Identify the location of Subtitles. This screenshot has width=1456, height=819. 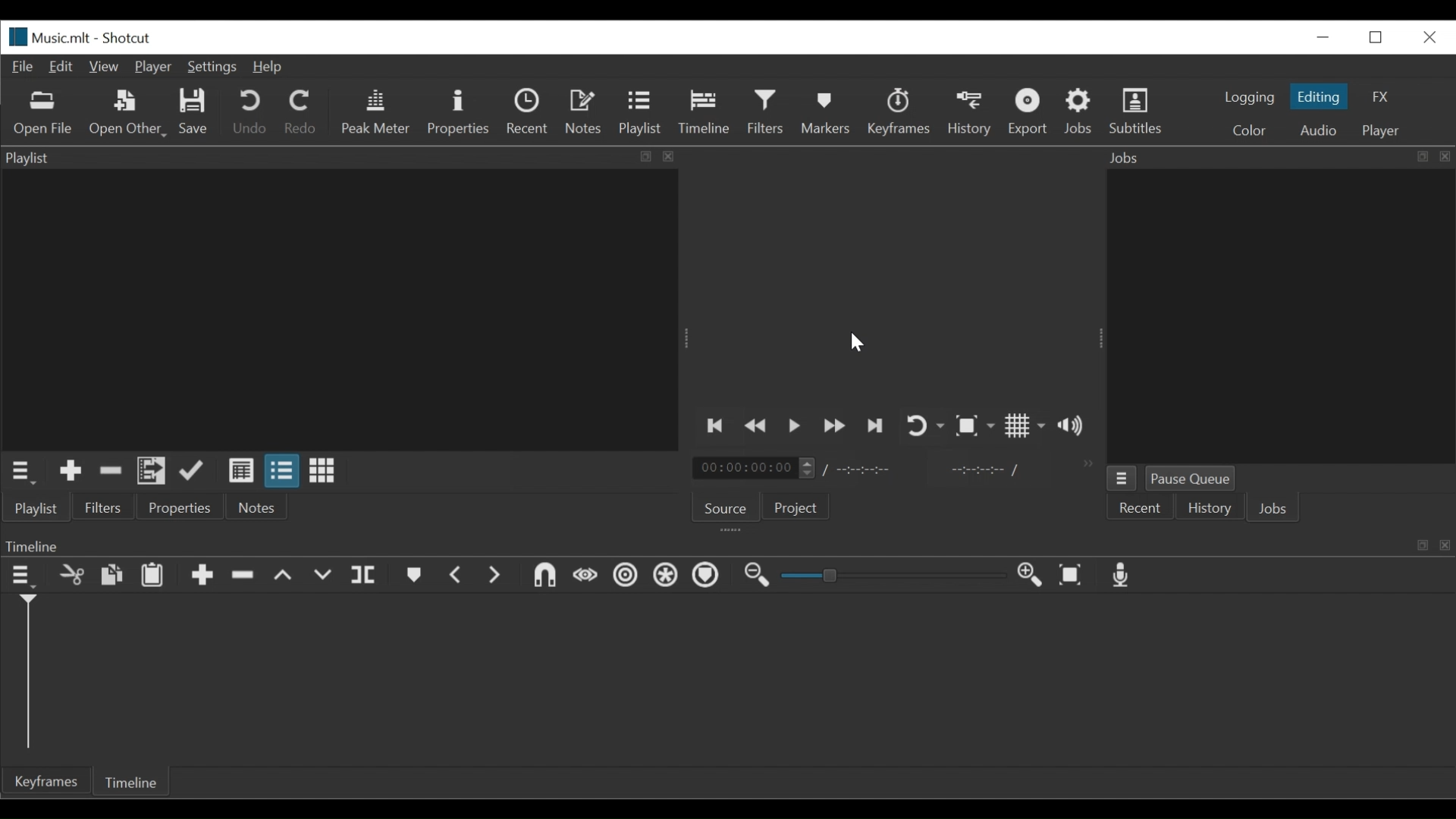
(1135, 111).